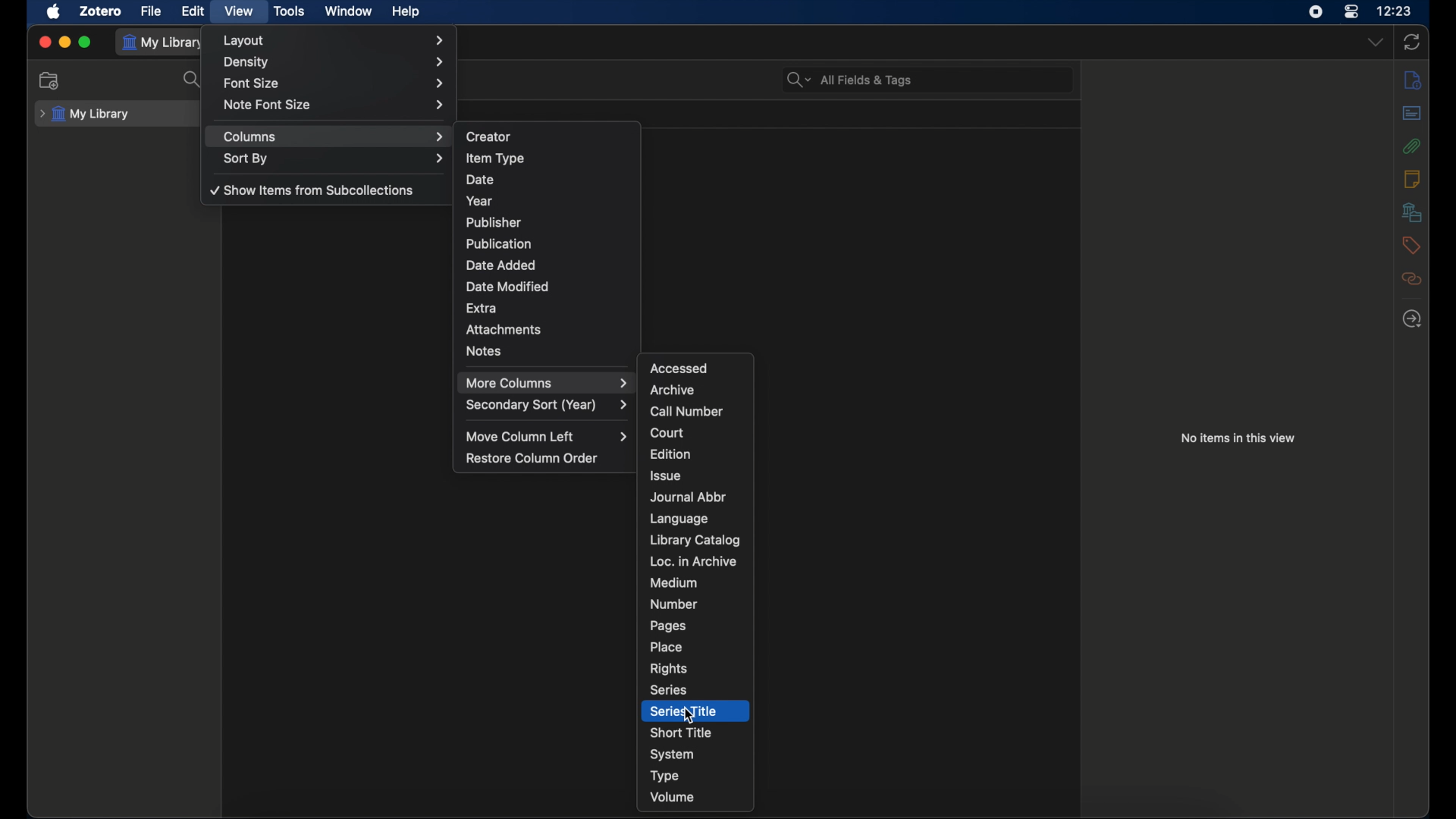 The height and width of the screenshot is (819, 1456). What do you see at coordinates (1411, 42) in the screenshot?
I see `sync` at bounding box center [1411, 42].